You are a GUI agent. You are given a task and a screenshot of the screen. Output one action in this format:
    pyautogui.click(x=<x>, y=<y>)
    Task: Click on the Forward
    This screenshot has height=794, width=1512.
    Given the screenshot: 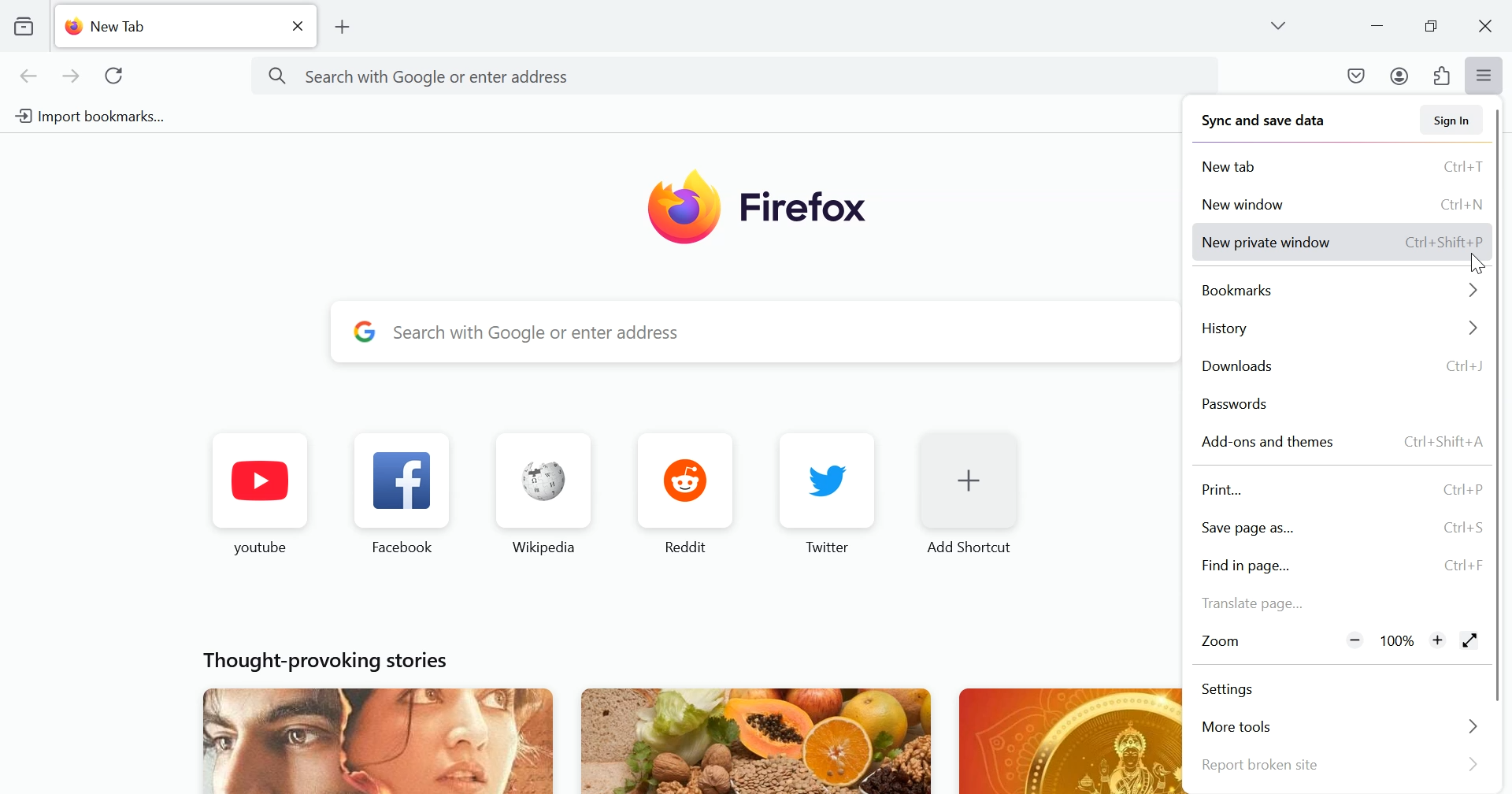 What is the action you would take?
    pyautogui.click(x=70, y=78)
    